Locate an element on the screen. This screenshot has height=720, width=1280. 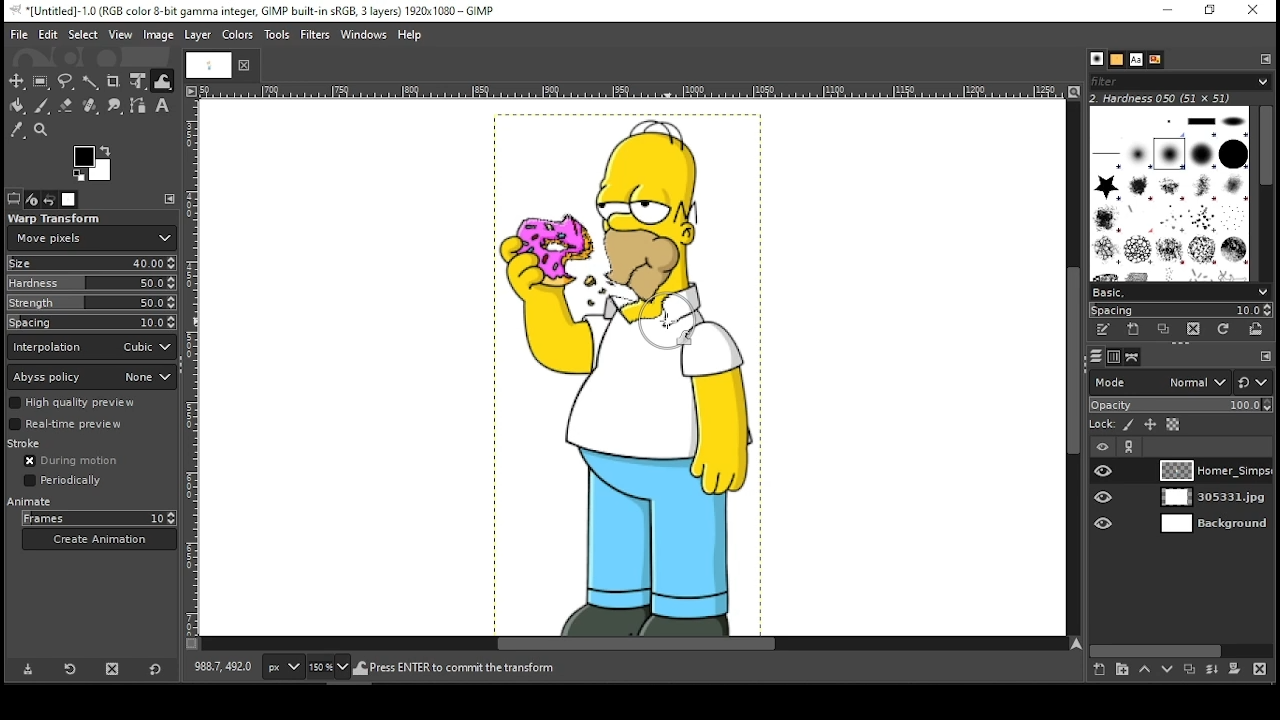
channels is located at coordinates (1115, 357).